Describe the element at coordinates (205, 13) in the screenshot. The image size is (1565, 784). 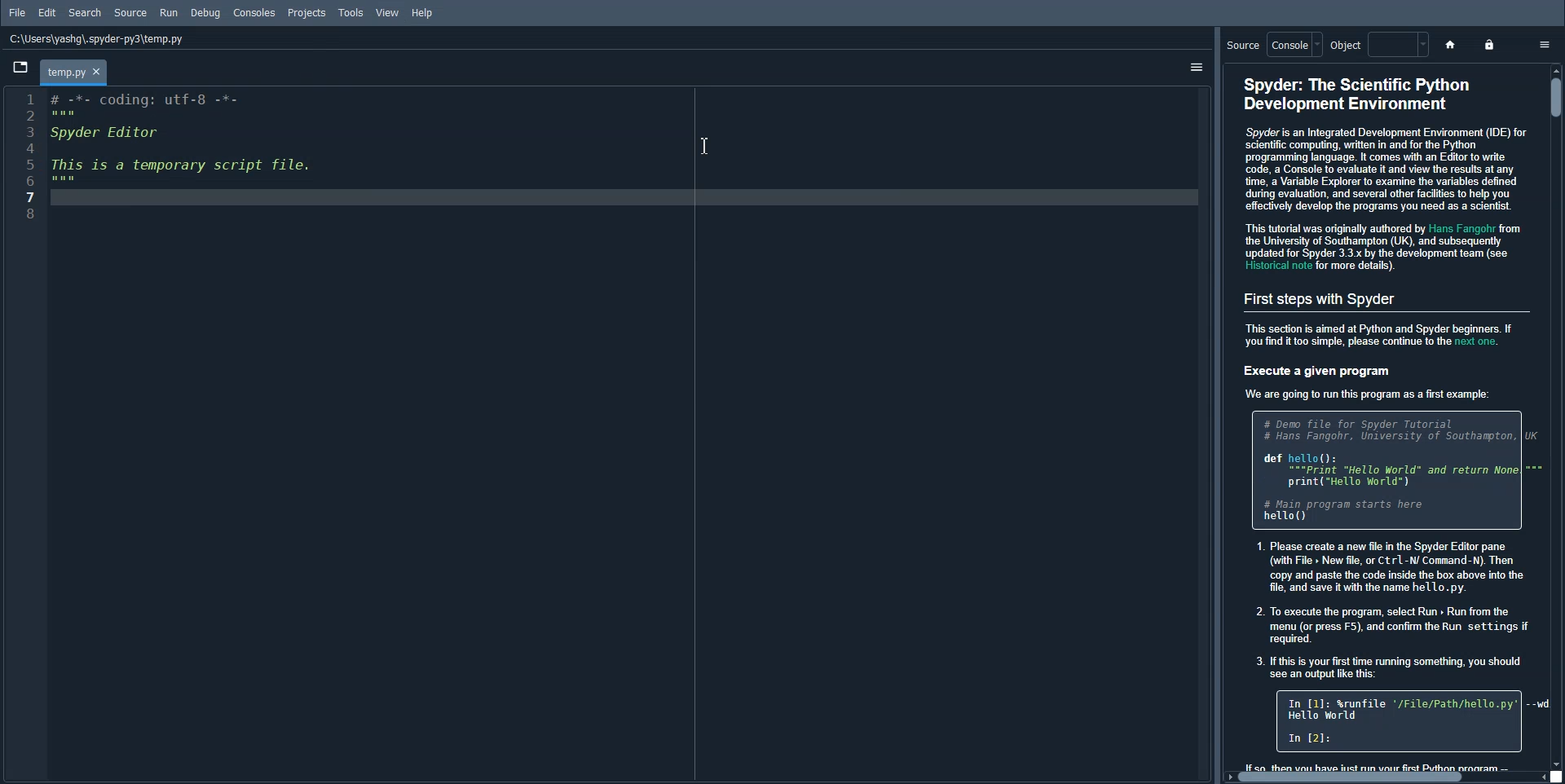
I see `Debug` at that location.